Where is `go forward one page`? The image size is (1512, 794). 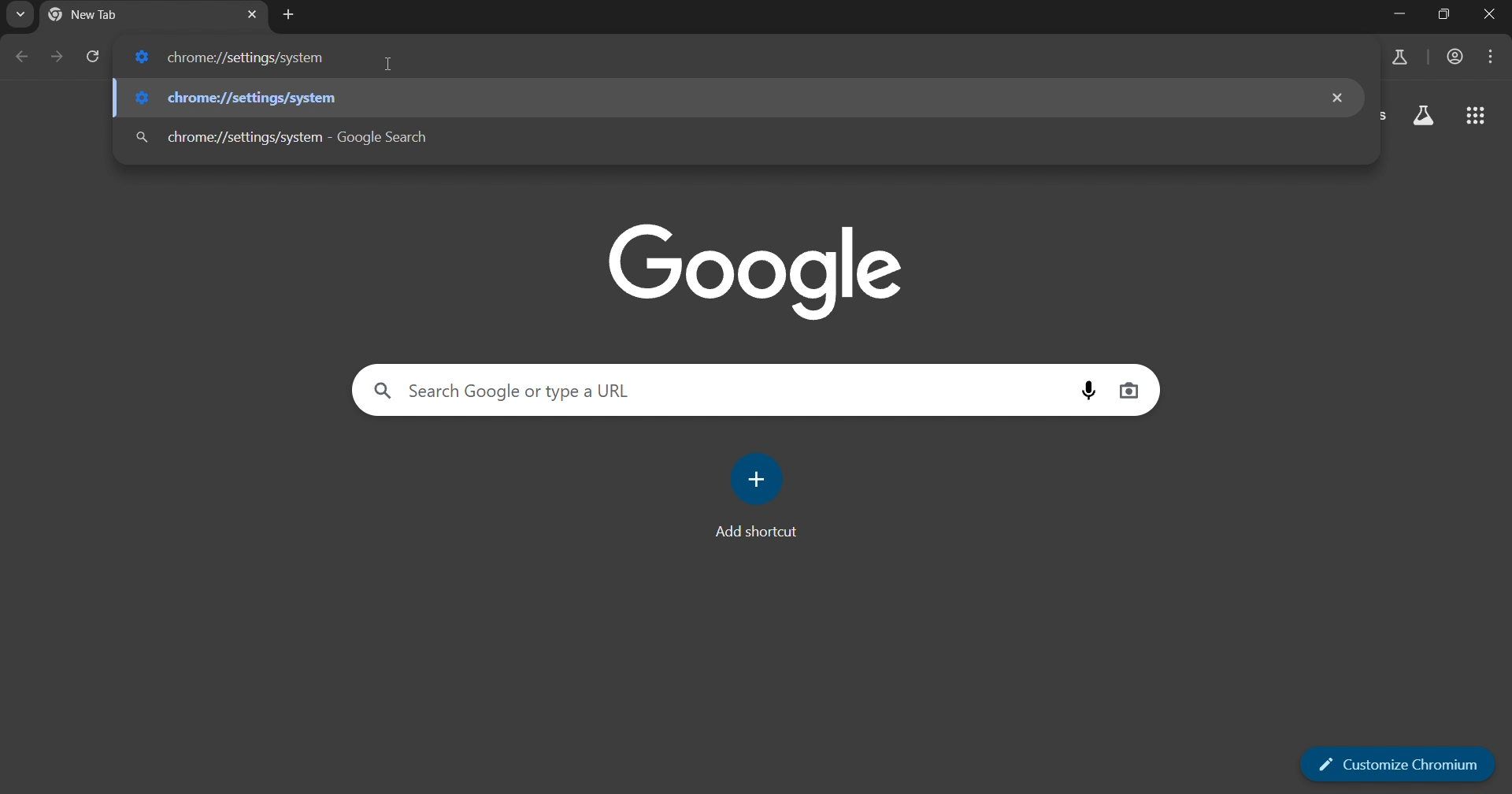 go forward one page is located at coordinates (57, 58).